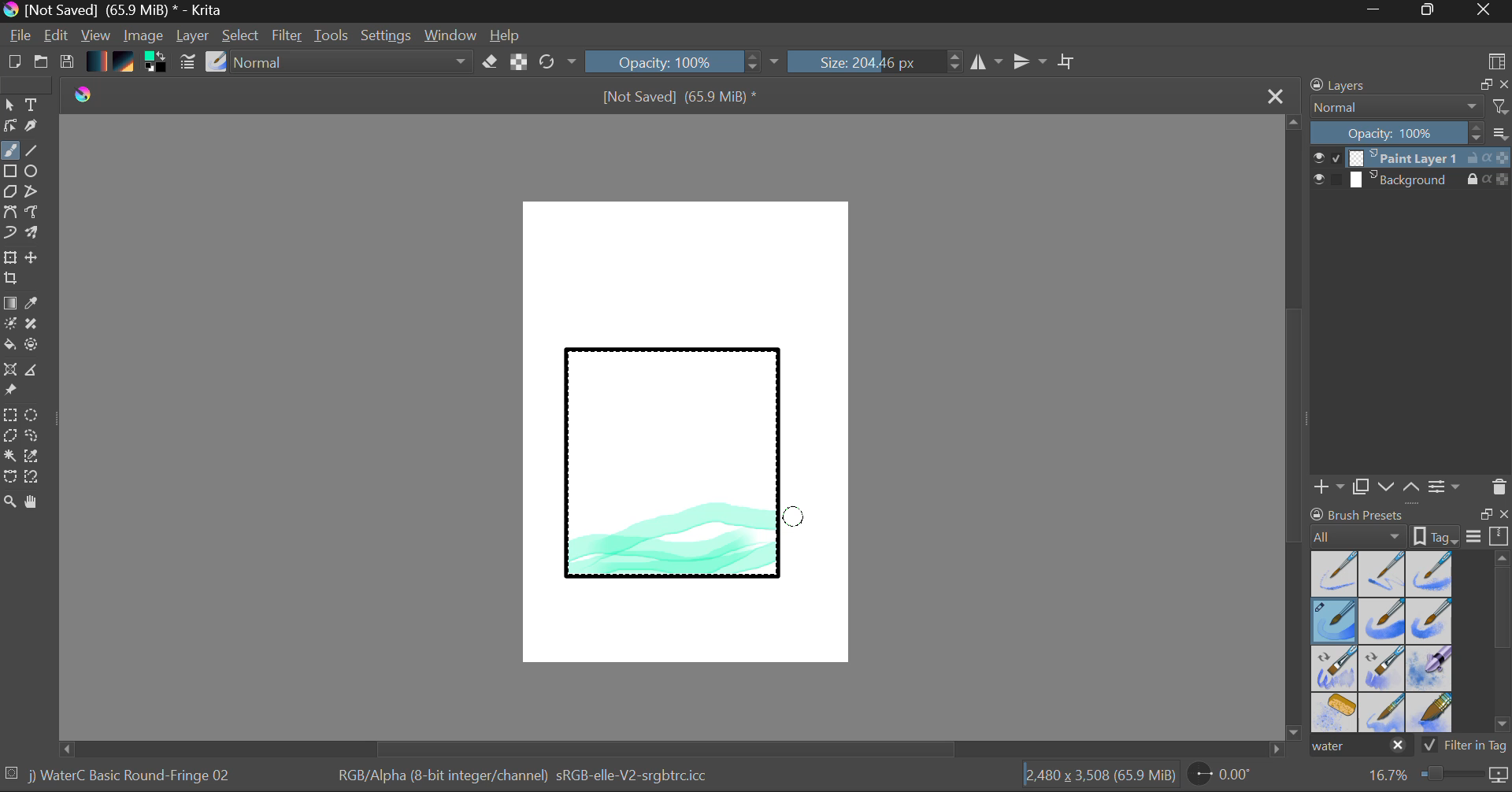  What do you see at coordinates (1362, 487) in the screenshot?
I see `Copy Layer` at bounding box center [1362, 487].